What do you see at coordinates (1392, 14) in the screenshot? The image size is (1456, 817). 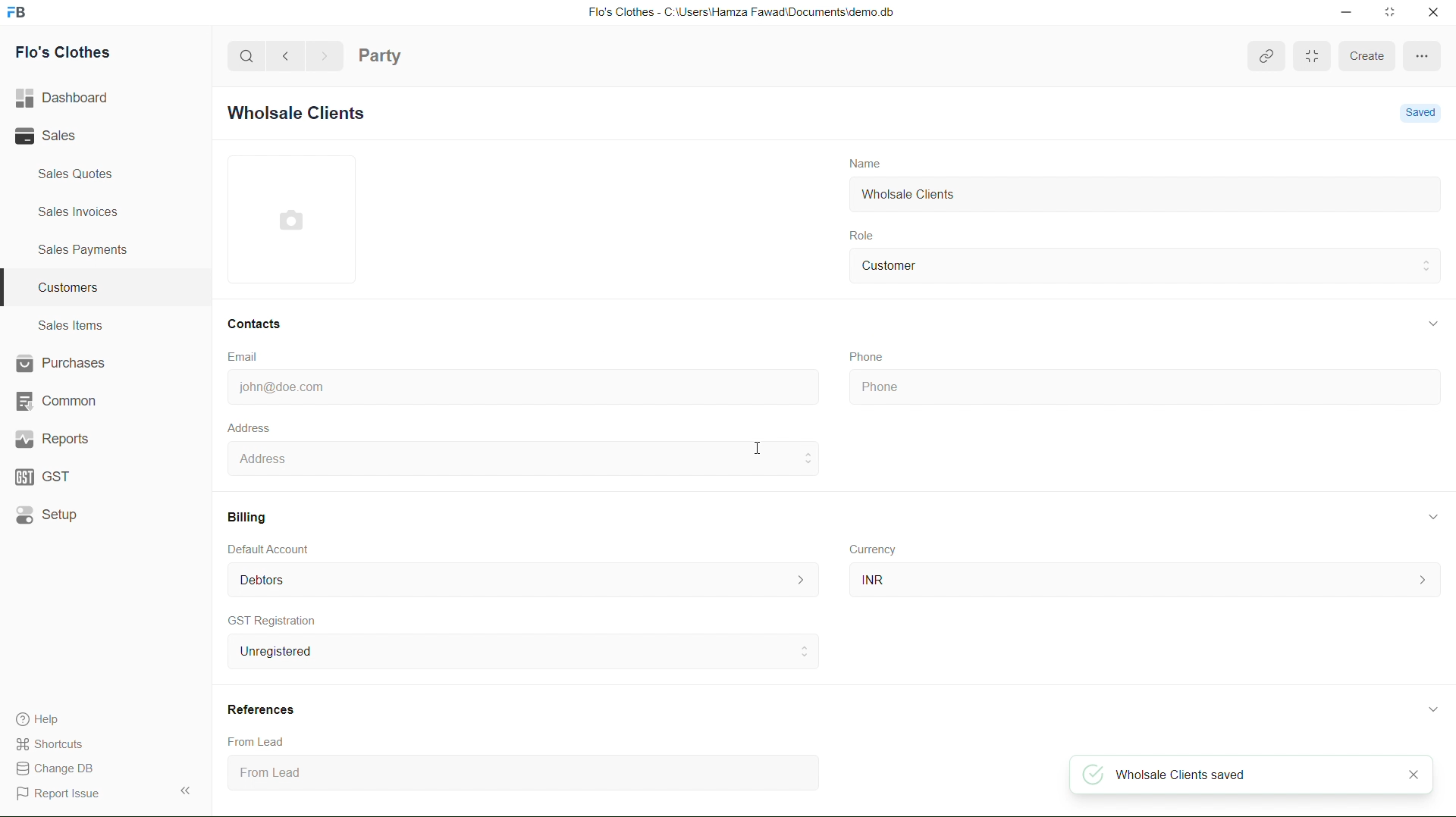 I see `maximize` at bounding box center [1392, 14].